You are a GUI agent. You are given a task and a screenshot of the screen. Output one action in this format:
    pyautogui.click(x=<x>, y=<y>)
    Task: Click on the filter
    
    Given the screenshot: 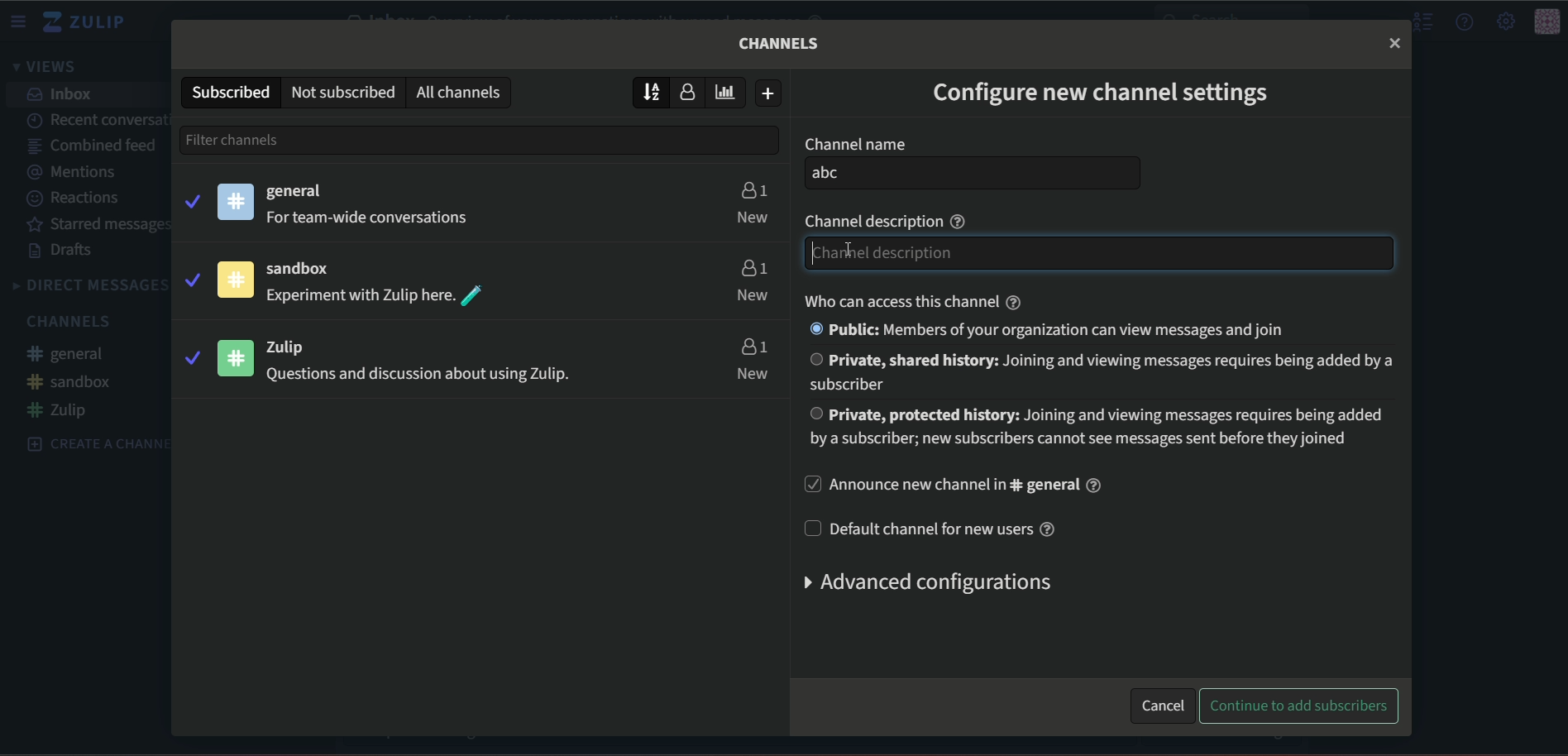 What is the action you would take?
    pyautogui.click(x=265, y=139)
    